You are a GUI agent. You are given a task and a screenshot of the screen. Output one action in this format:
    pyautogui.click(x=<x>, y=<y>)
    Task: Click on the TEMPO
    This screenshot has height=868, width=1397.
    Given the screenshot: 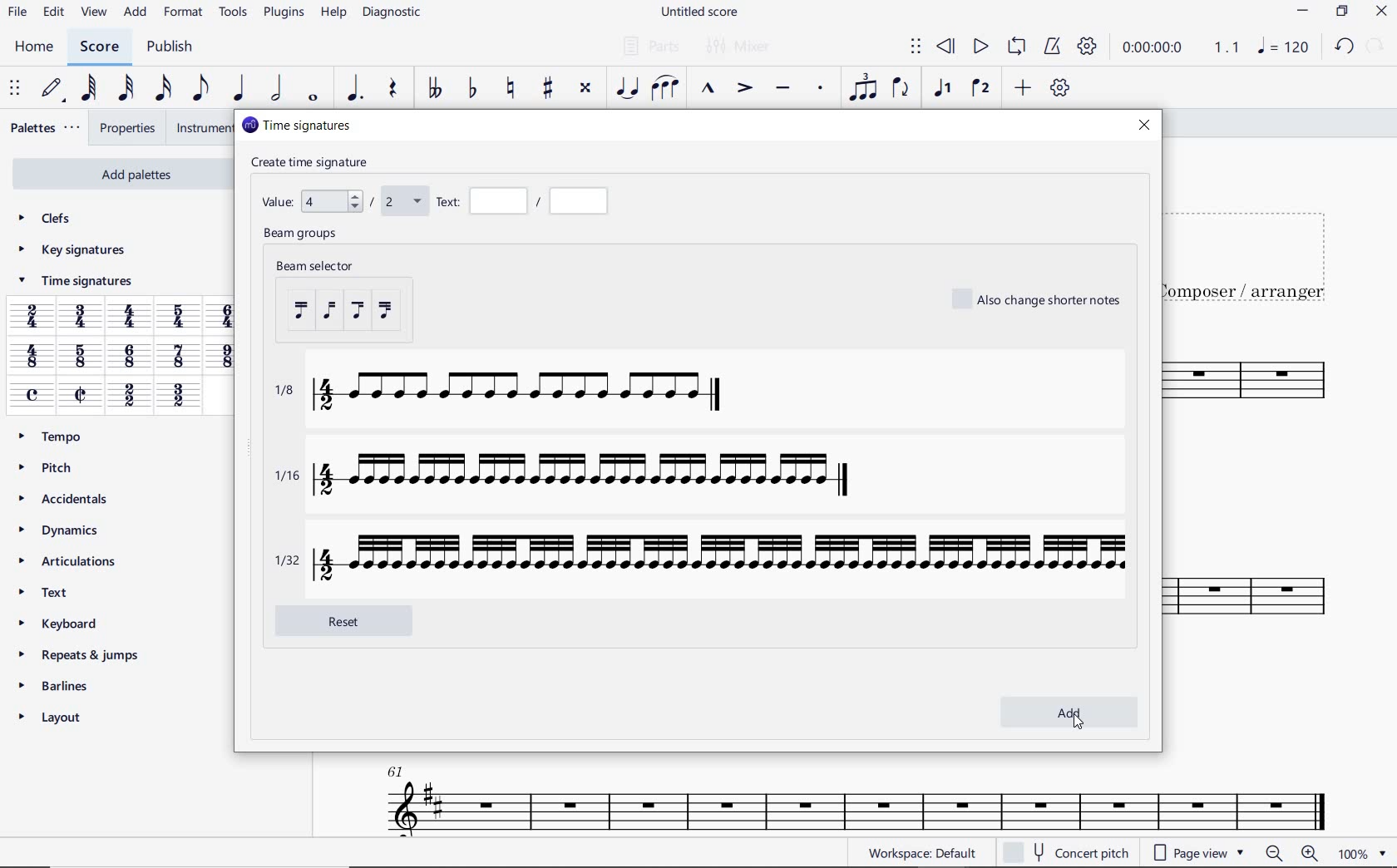 What is the action you would take?
    pyautogui.click(x=57, y=436)
    